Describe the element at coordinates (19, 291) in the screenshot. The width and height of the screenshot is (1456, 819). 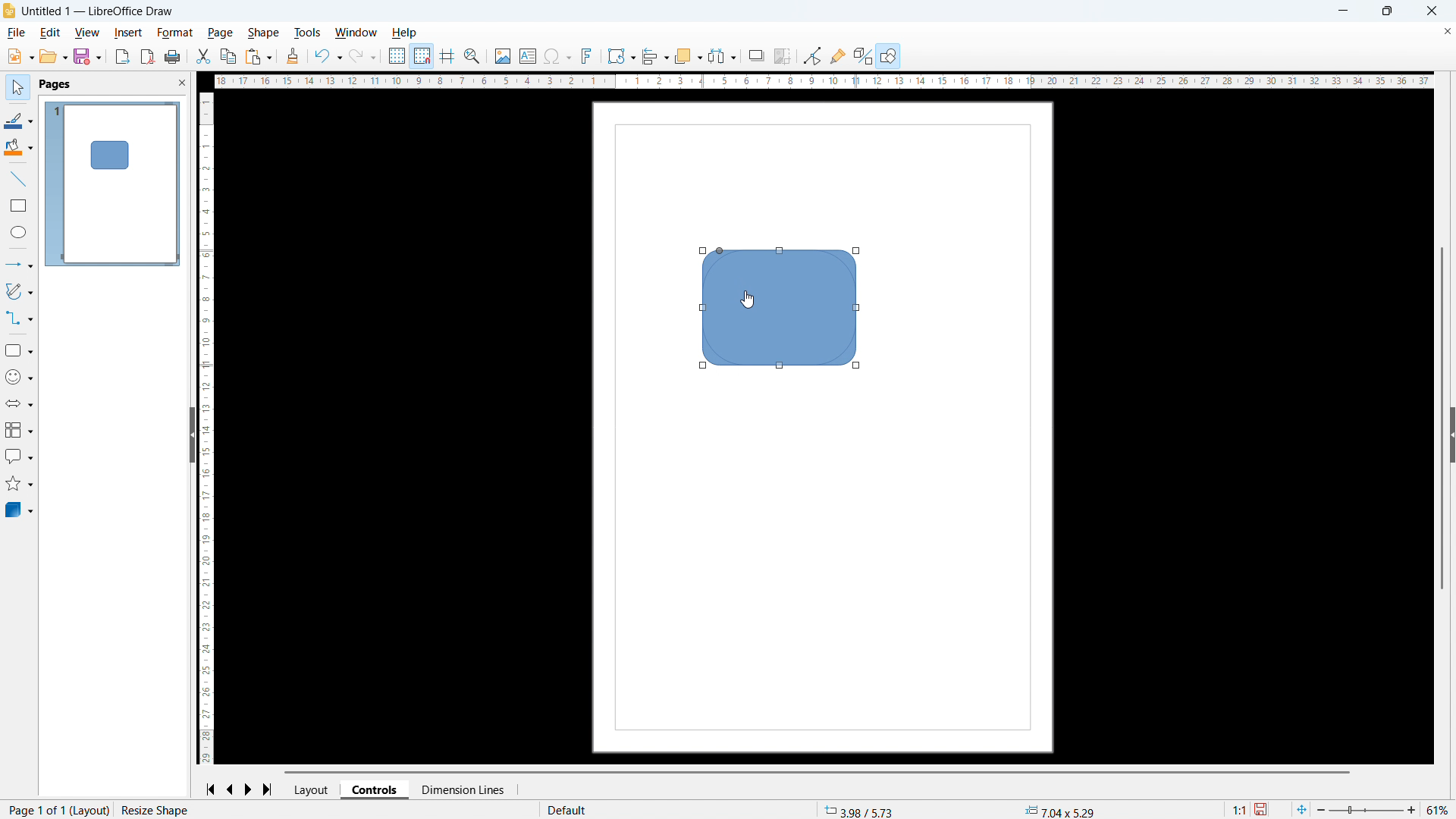
I see `Curves and polygons ` at that location.